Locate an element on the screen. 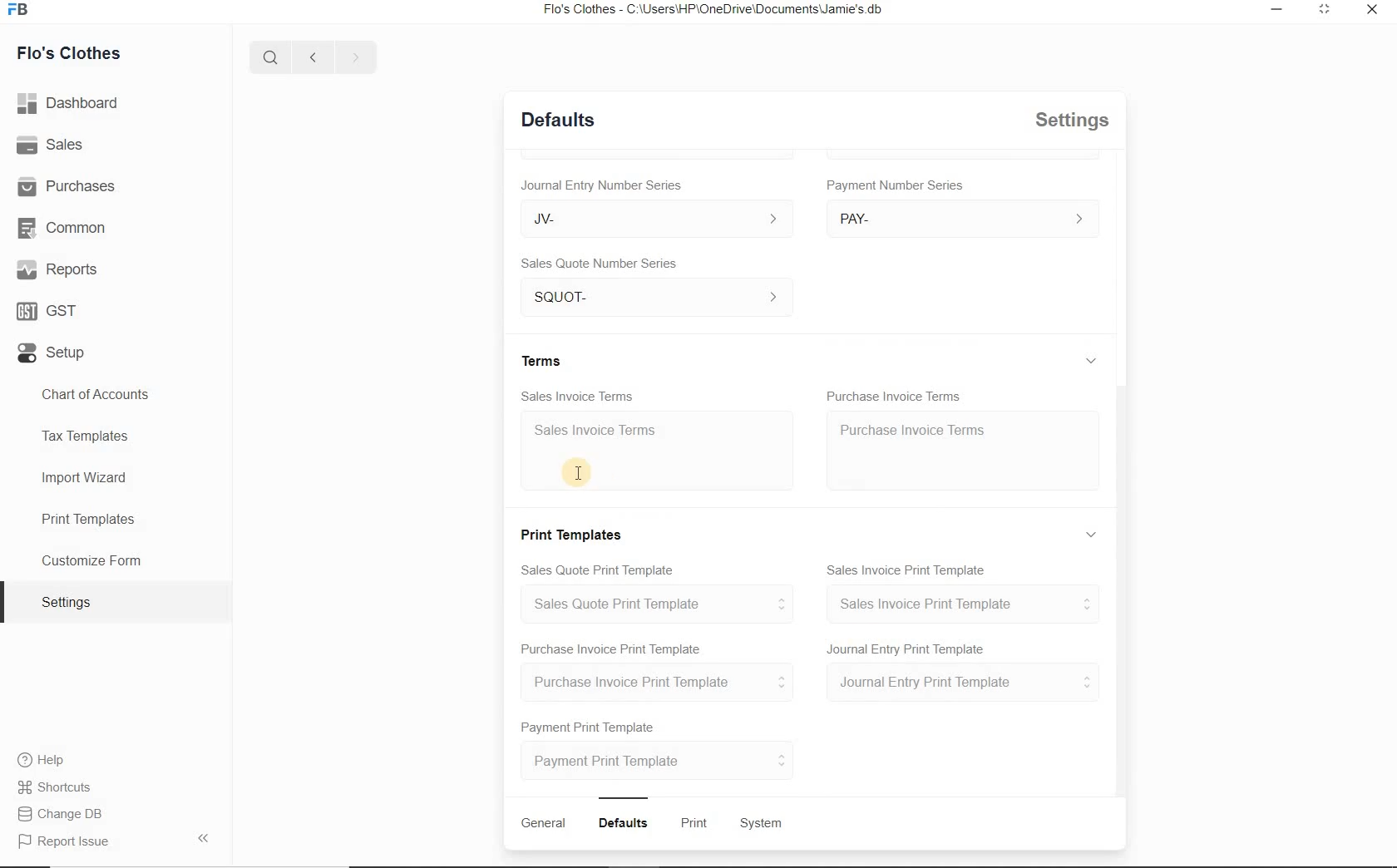 Image resolution: width=1397 pixels, height=868 pixels. Journal Entry Print Template is located at coordinates (960, 683).